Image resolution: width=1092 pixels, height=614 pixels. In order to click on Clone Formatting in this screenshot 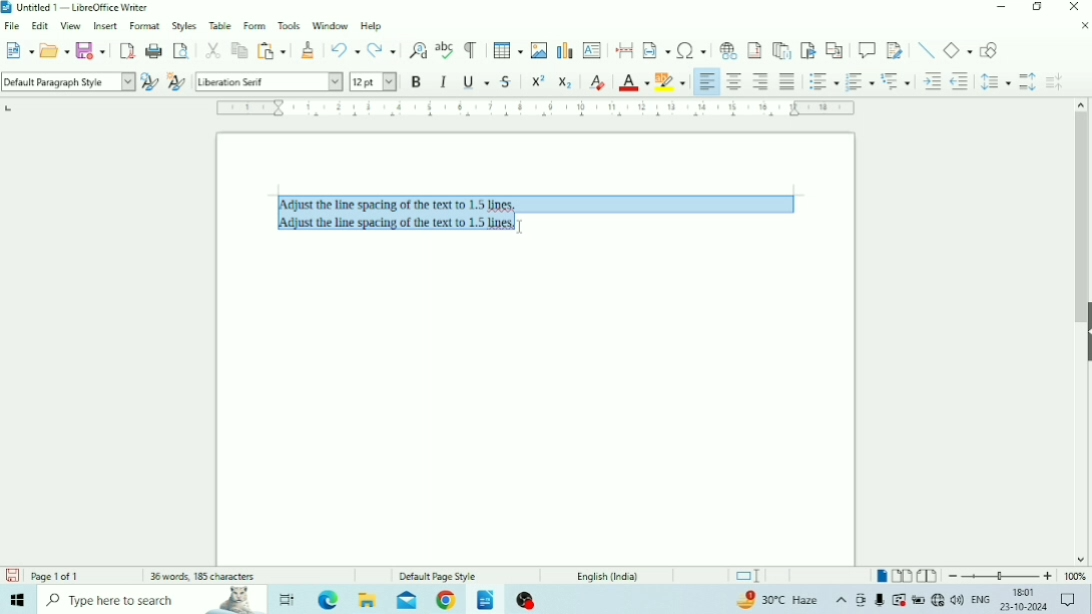, I will do `click(308, 50)`.